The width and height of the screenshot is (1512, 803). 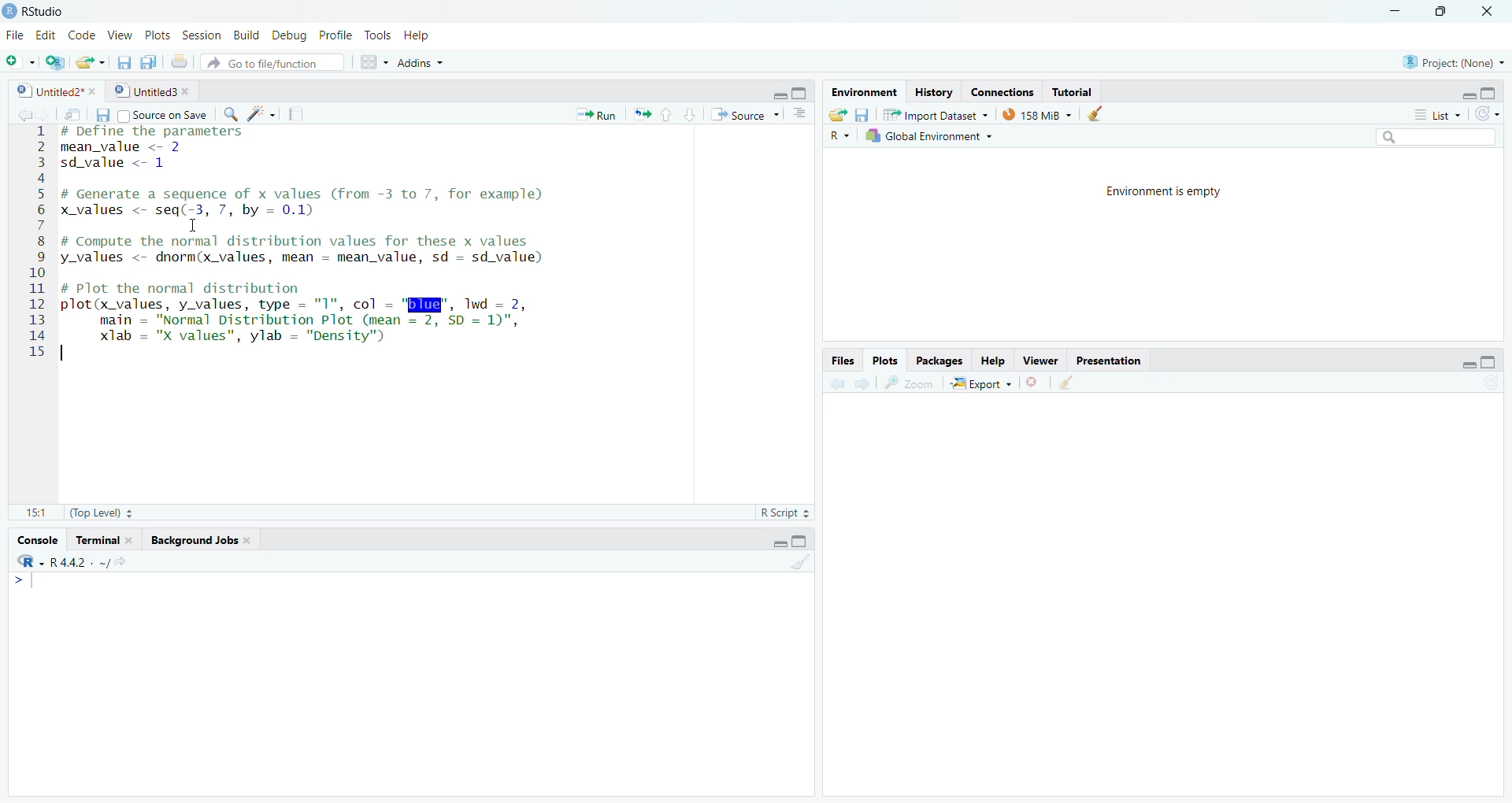 I want to click on remove current viewer, so click(x=1033, y=382).